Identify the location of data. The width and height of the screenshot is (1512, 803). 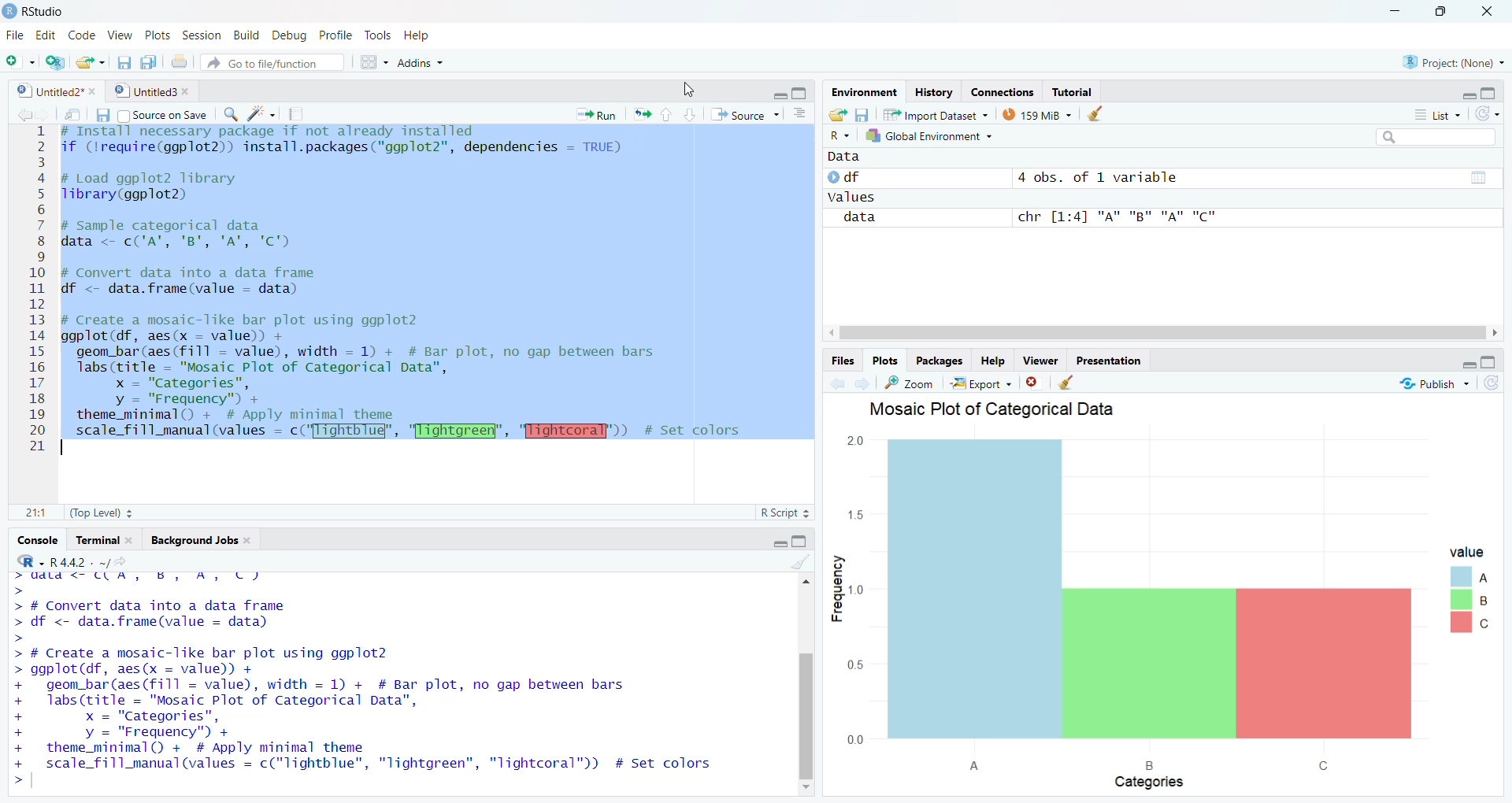
(862, 219).